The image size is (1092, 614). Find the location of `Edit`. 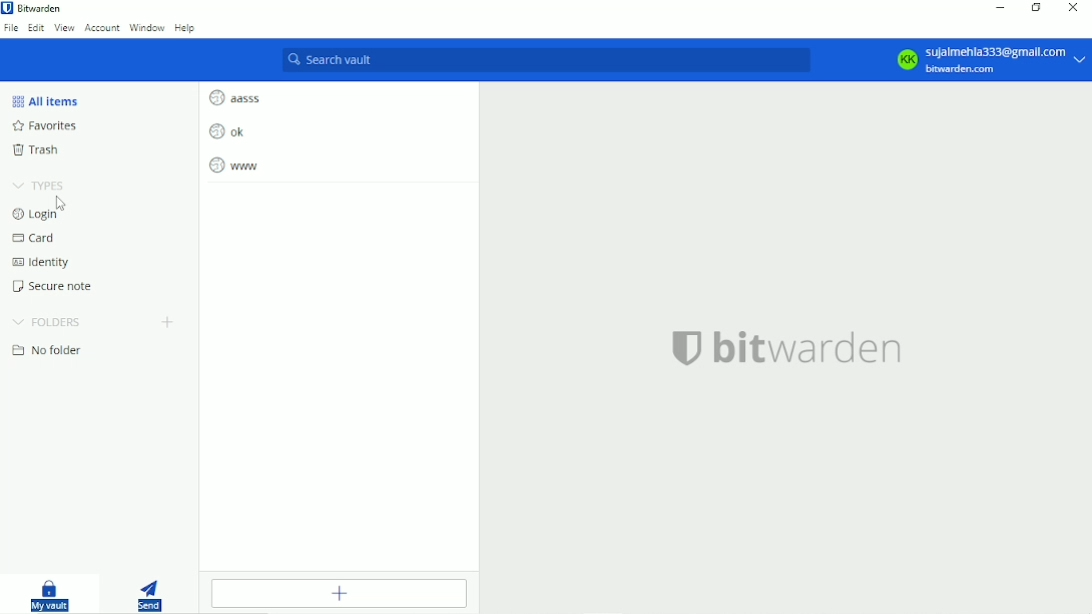

Edit is located at coordinates (34, 28).